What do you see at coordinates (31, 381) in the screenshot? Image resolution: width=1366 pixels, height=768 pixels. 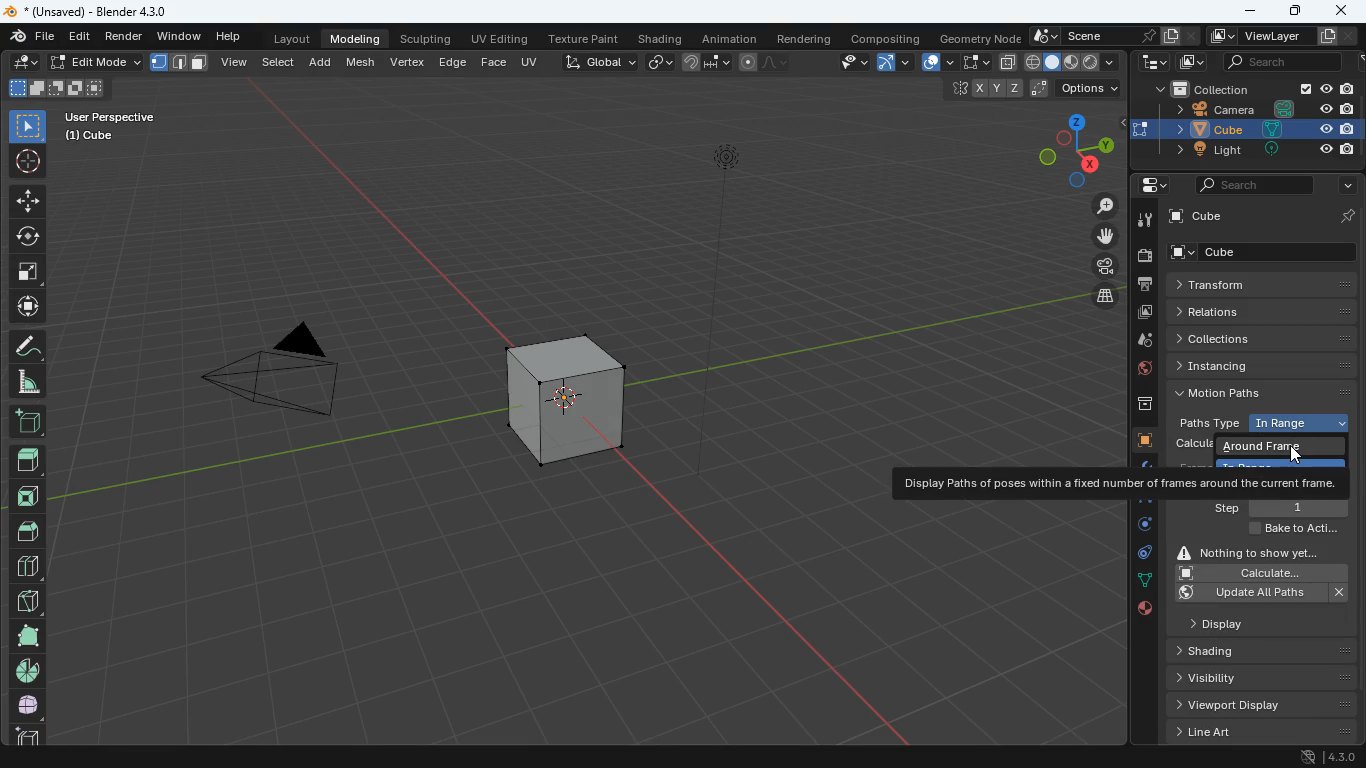 I see `angle` at bounding box center [31, 381].